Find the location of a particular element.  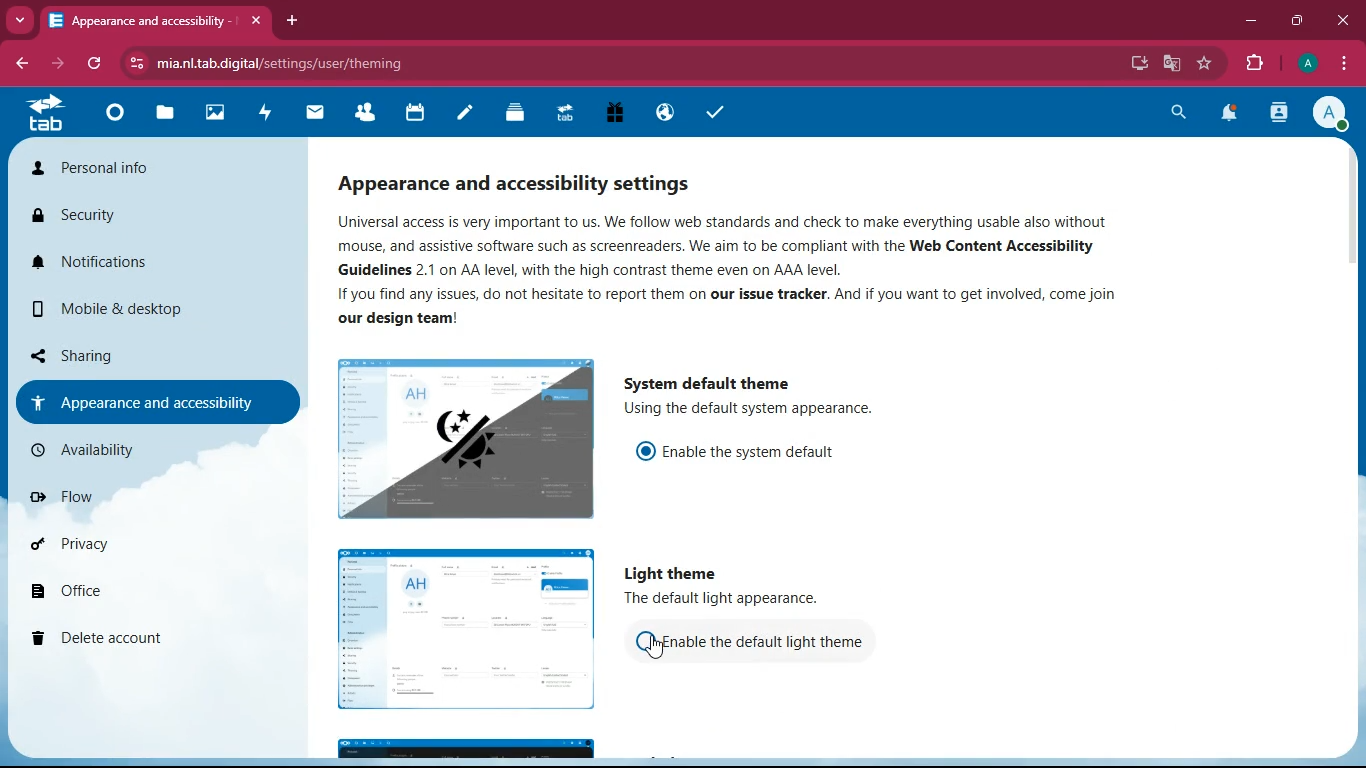

minimize is located at coordinates (1251, 21).